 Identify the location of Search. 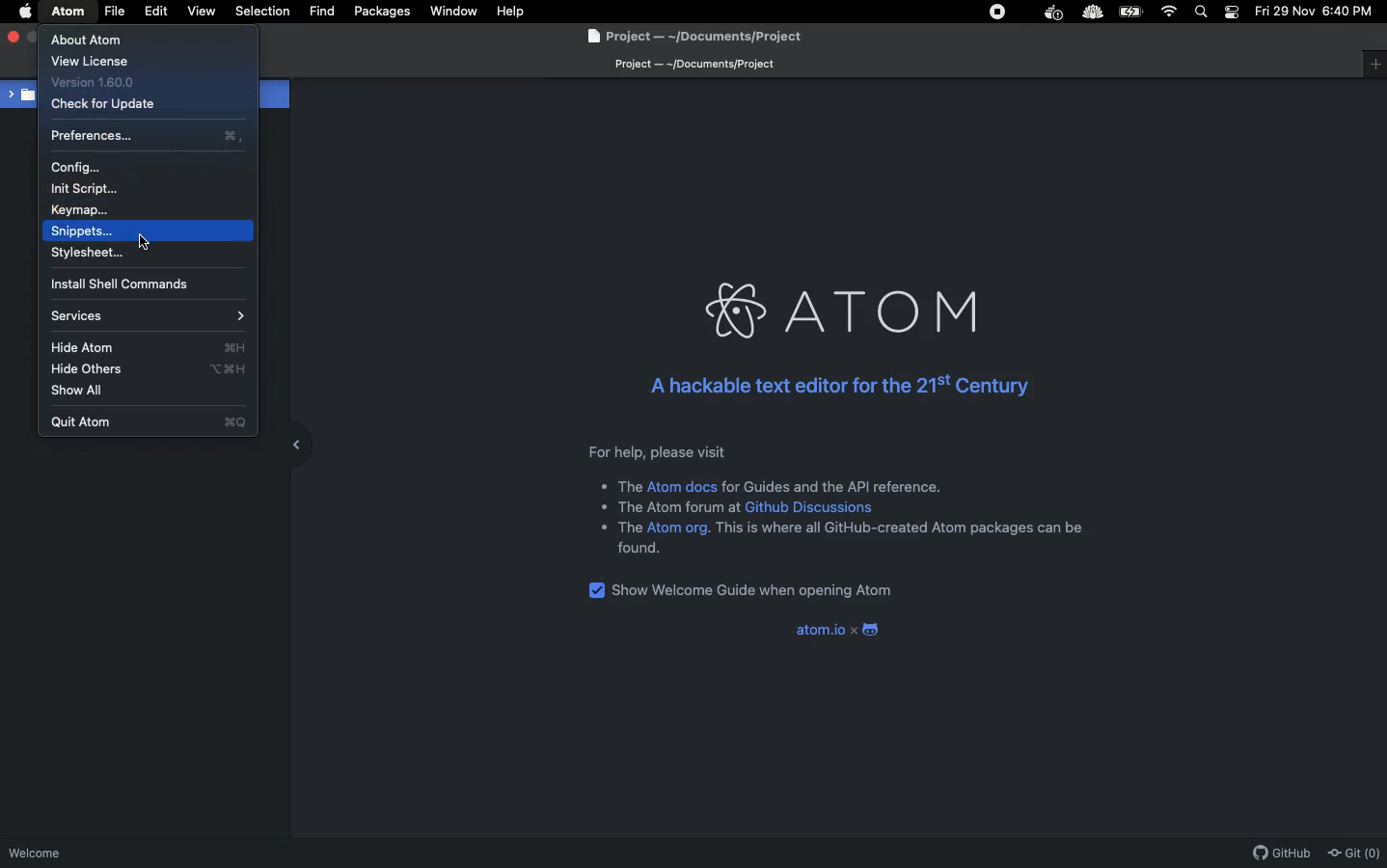
(1204, 12).